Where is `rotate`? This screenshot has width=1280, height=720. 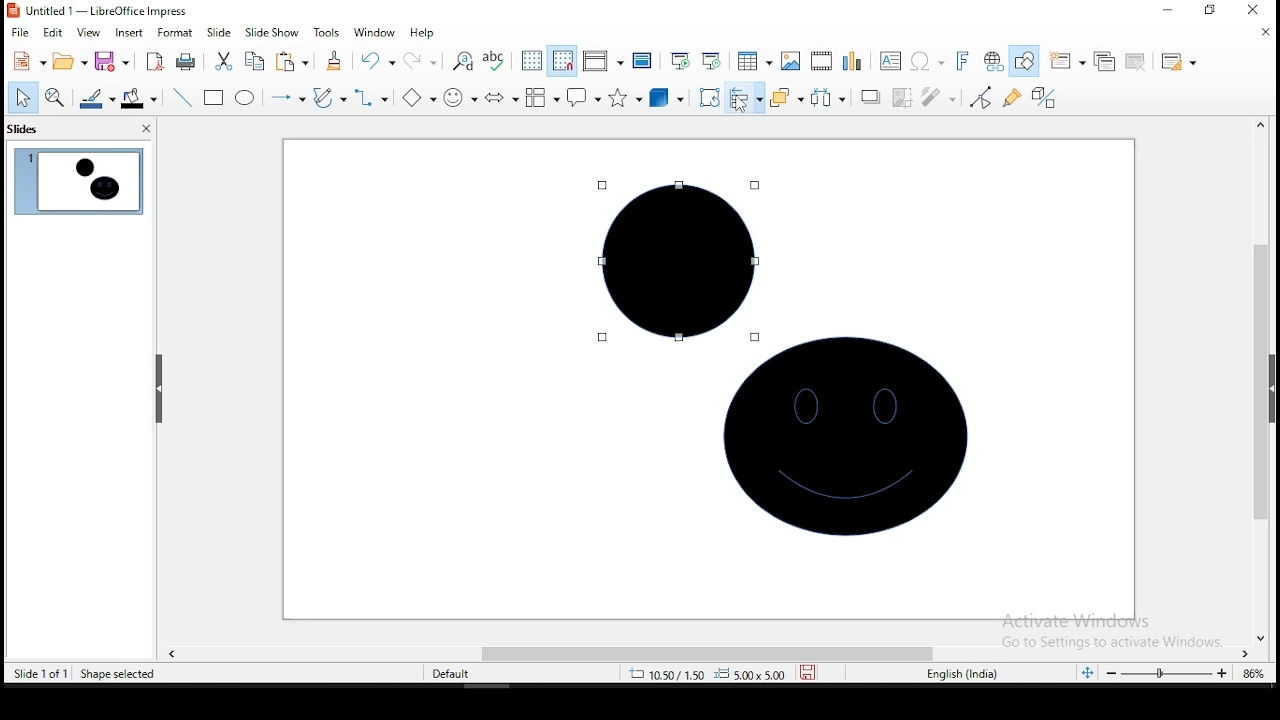 rotate is located at coordinates (710, 97).